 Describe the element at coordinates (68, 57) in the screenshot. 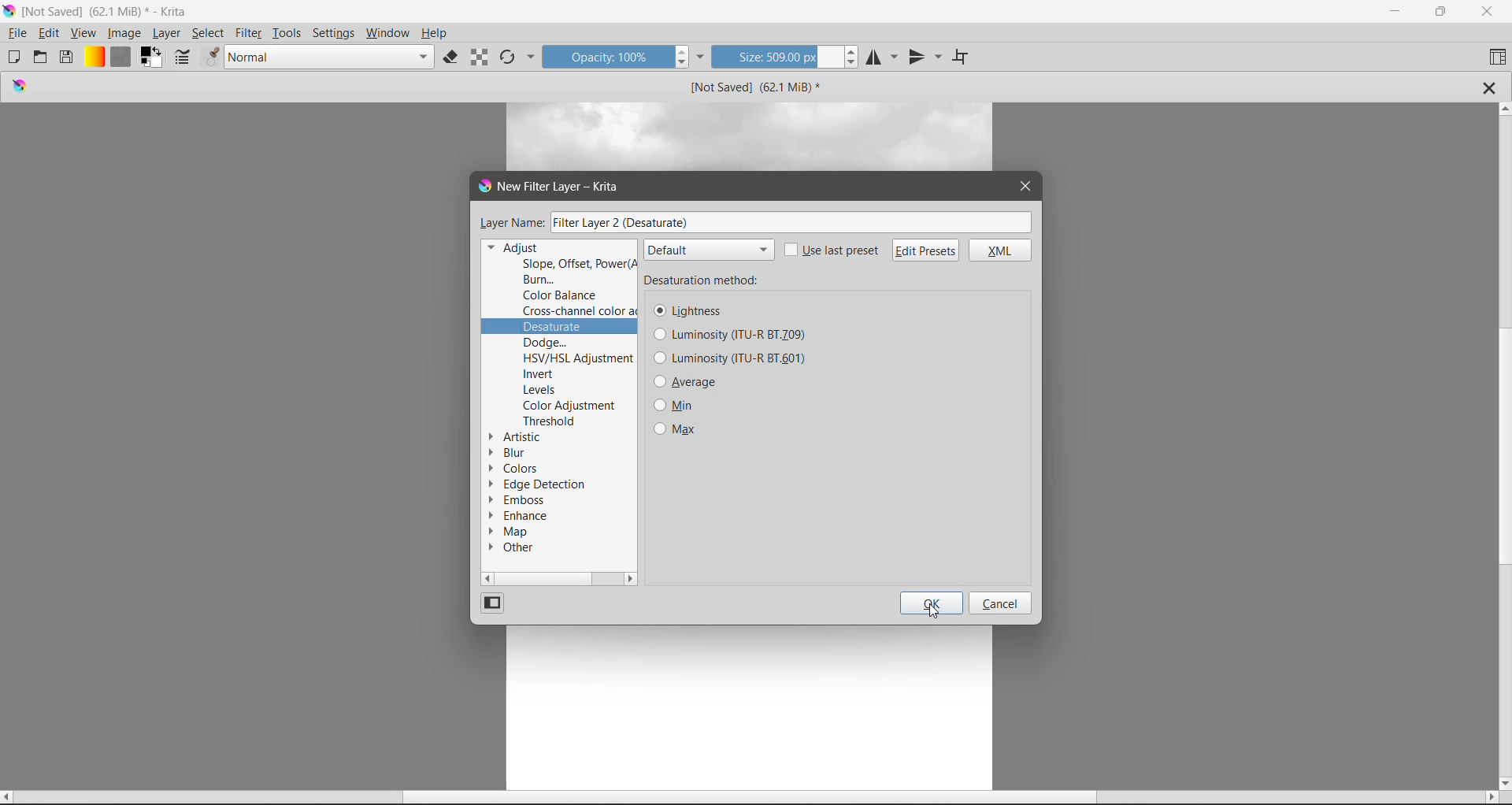

I see `Save` at that location.